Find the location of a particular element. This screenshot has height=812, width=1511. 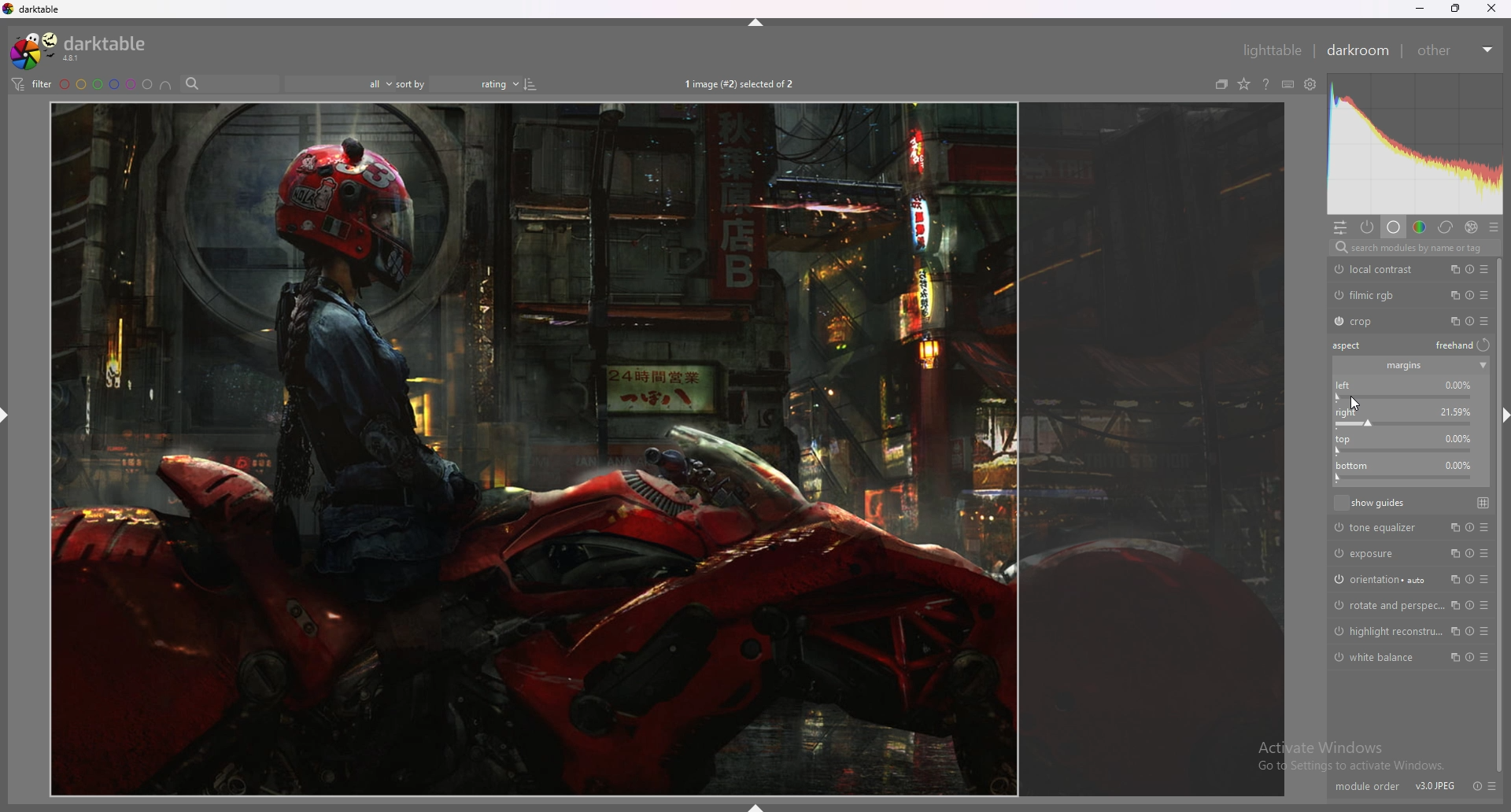

presets is located at coordinates (1493, 227).